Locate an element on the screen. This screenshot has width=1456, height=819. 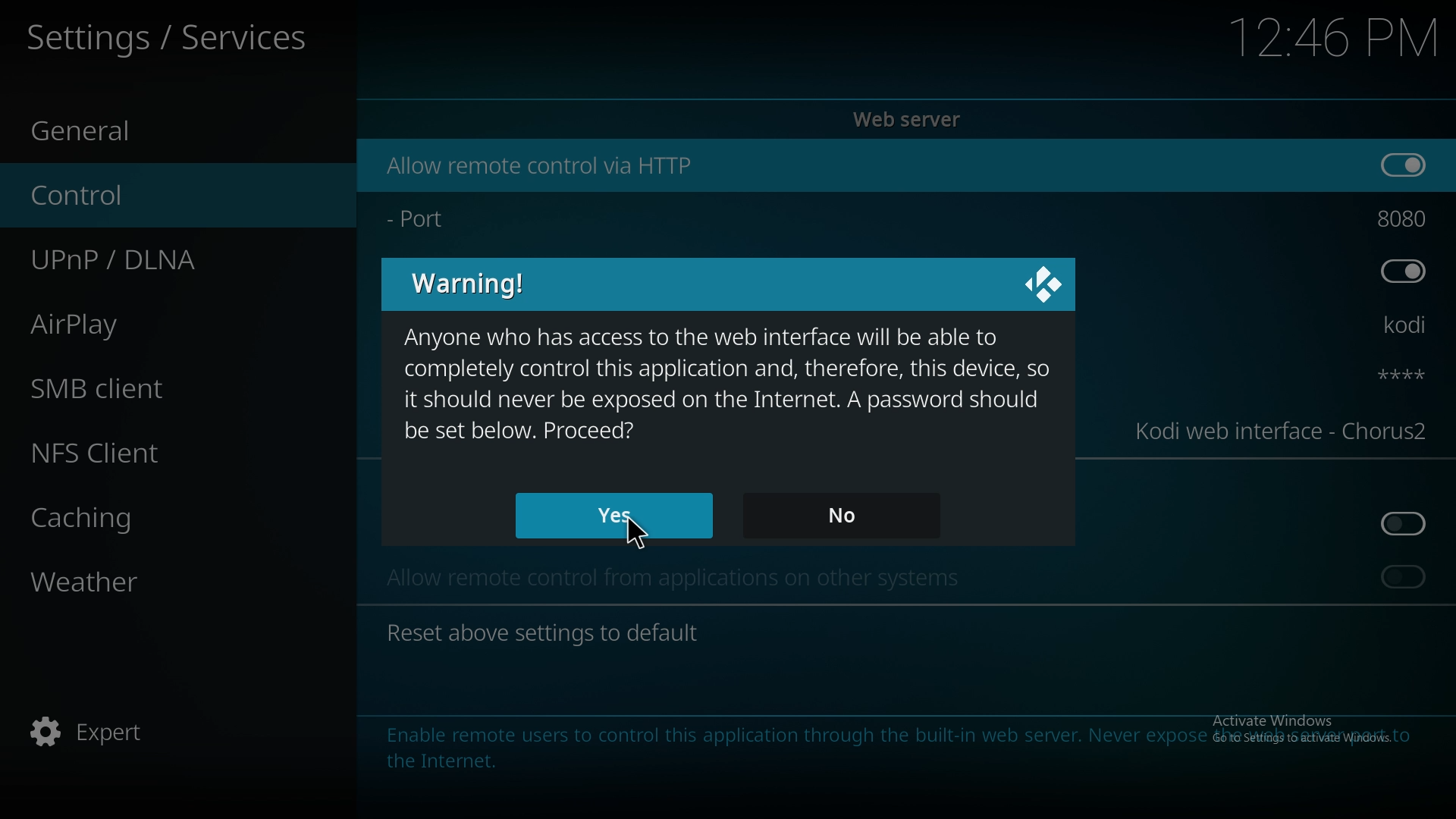
warning message is located at coordinates (726, 383).